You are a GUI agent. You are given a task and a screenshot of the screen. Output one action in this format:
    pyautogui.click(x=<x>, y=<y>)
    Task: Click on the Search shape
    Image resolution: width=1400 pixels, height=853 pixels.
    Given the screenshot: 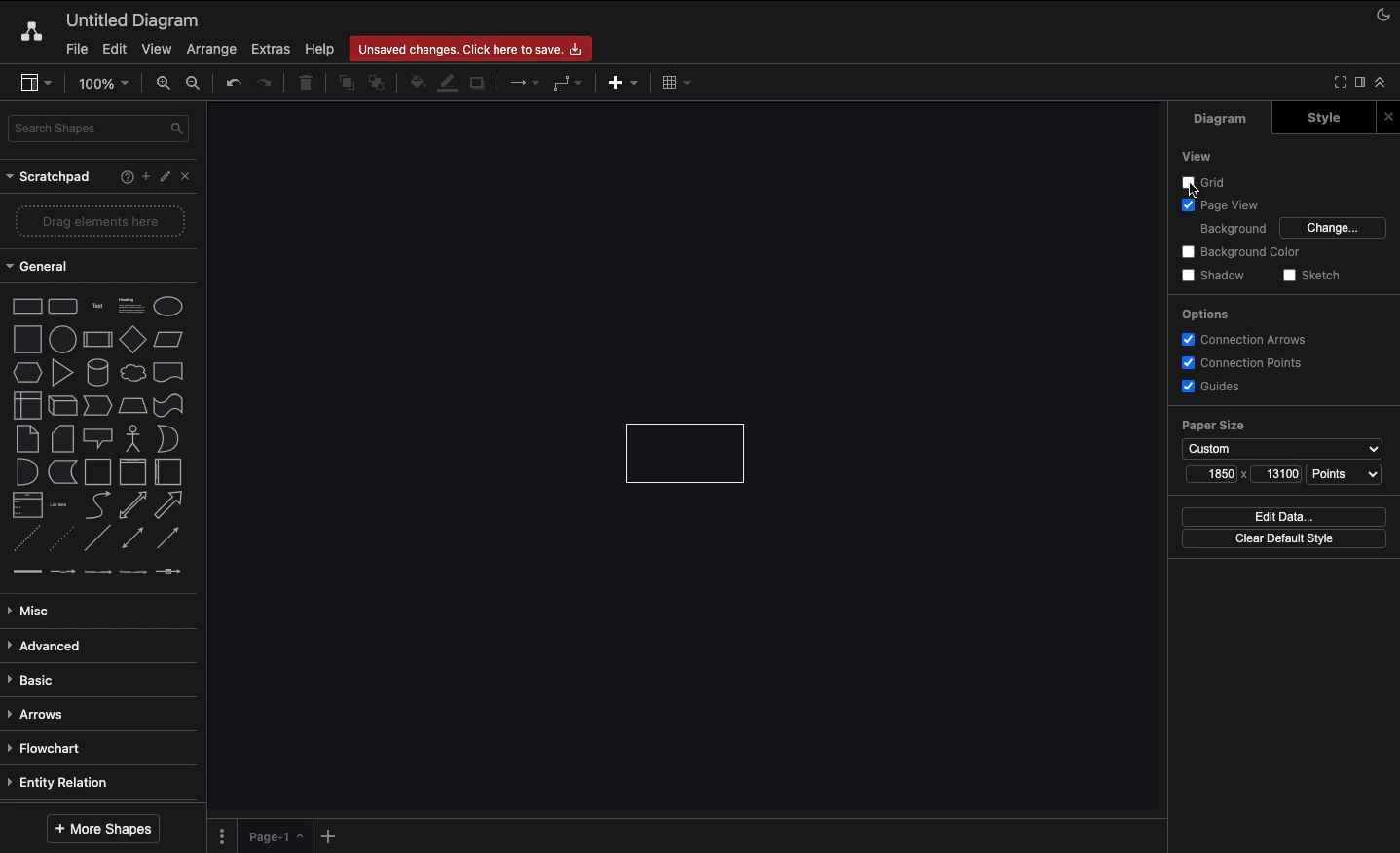 What is the action you would take?
    pyautogui.click(x=95, y=130)
    